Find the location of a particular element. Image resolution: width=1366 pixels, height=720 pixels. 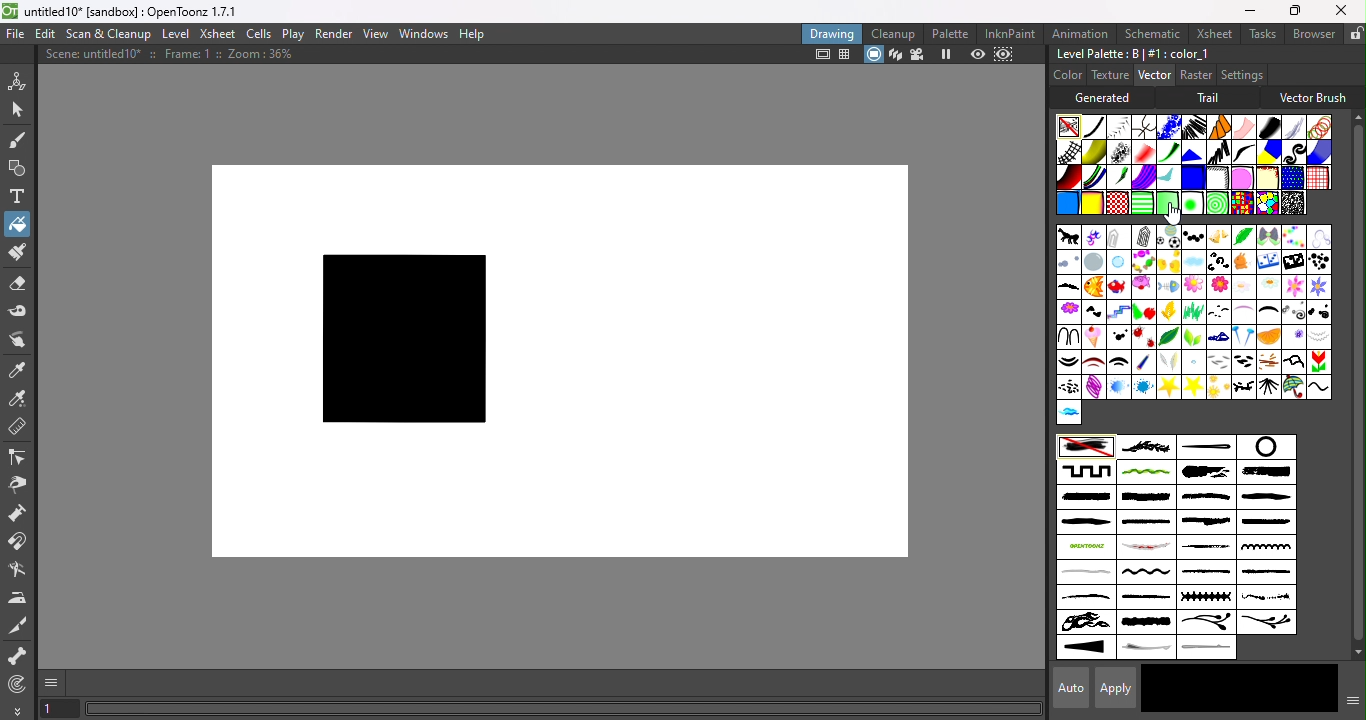

Watercolor is located at coordinates (1317, 152).